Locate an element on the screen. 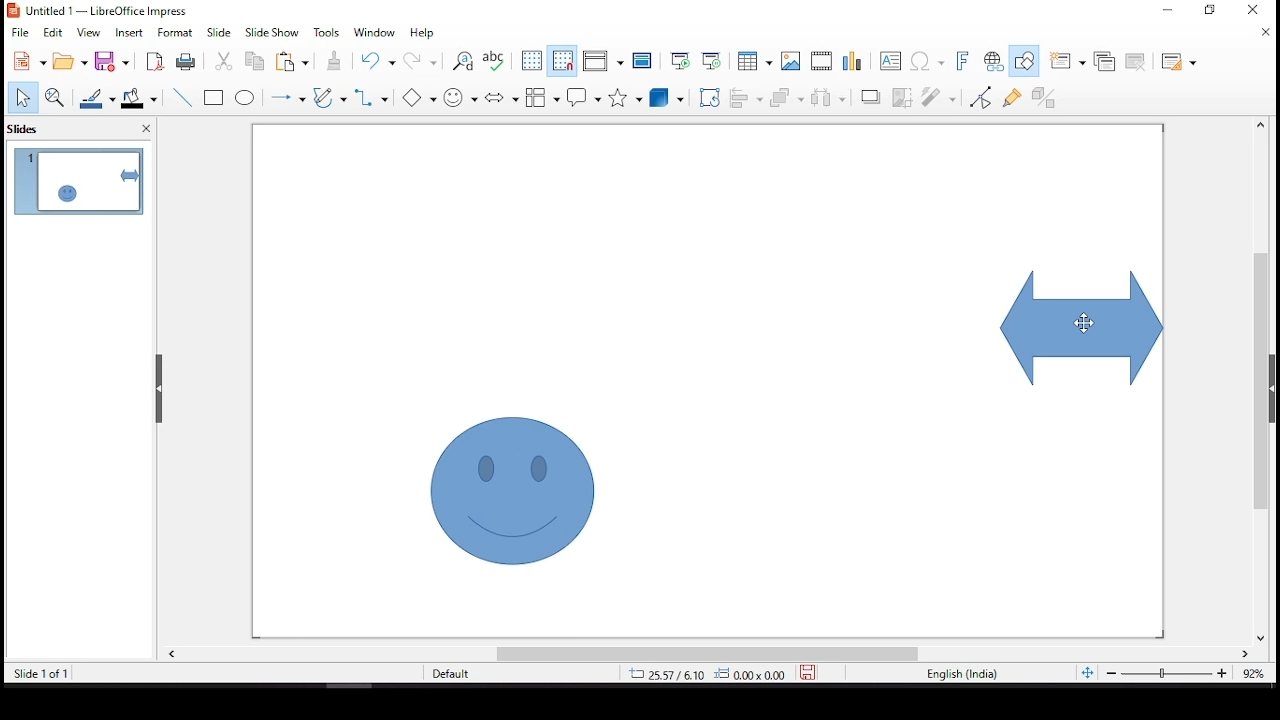  shape is located at coordinates (512, 490).